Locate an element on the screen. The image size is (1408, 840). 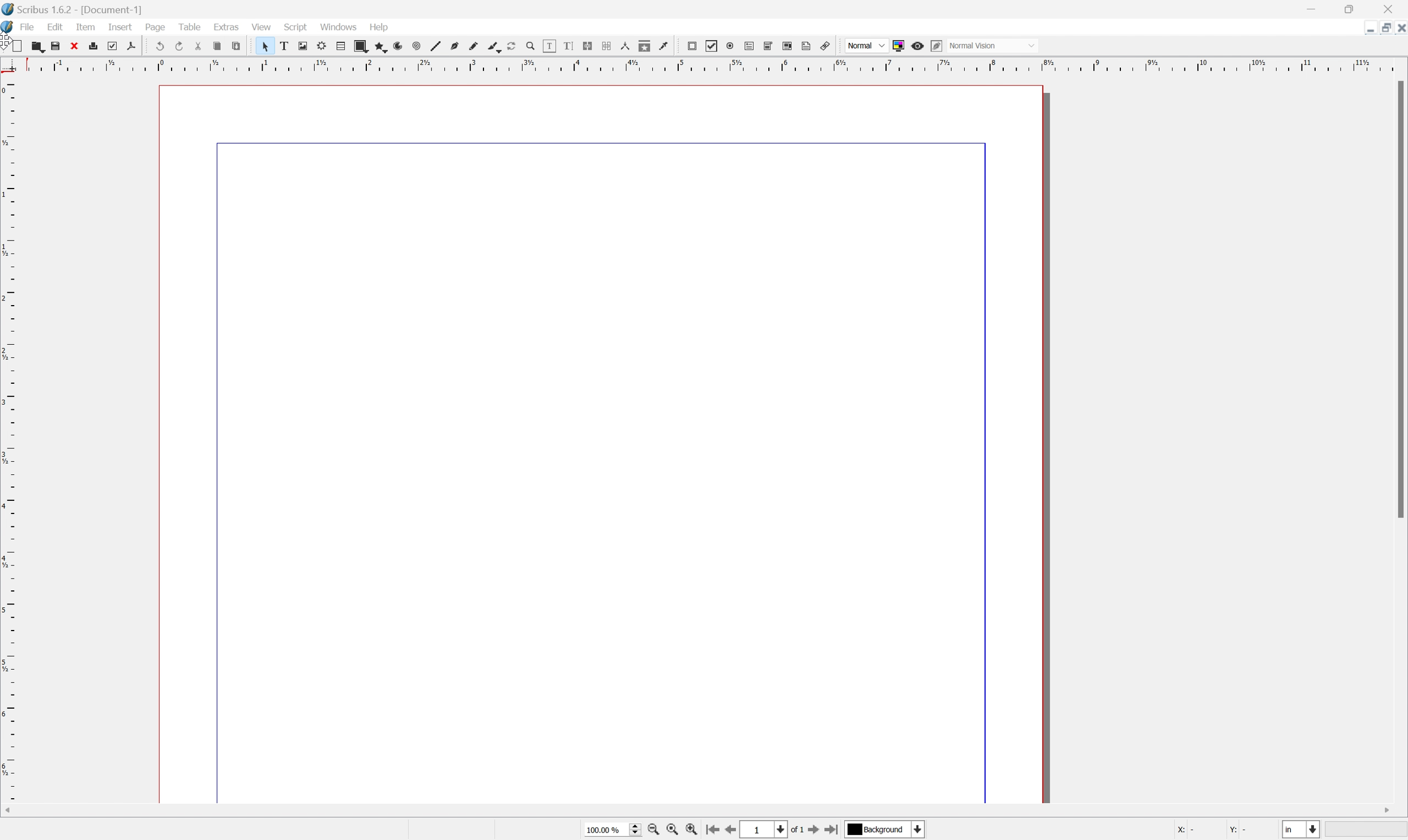
undo is located at coordinates (161, 46).